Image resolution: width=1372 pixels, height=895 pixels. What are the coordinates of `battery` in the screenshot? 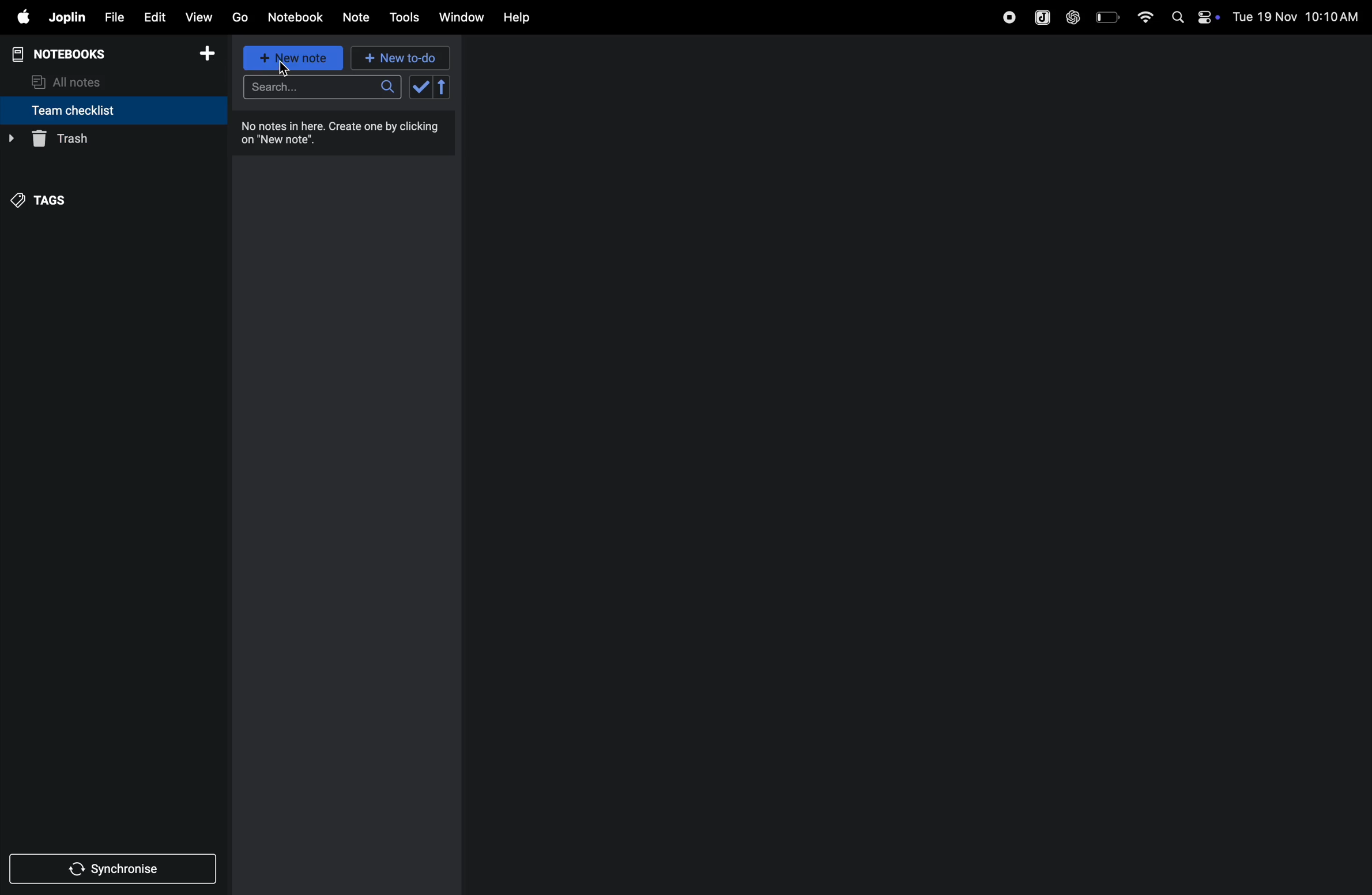 It's located at (1106, 17).